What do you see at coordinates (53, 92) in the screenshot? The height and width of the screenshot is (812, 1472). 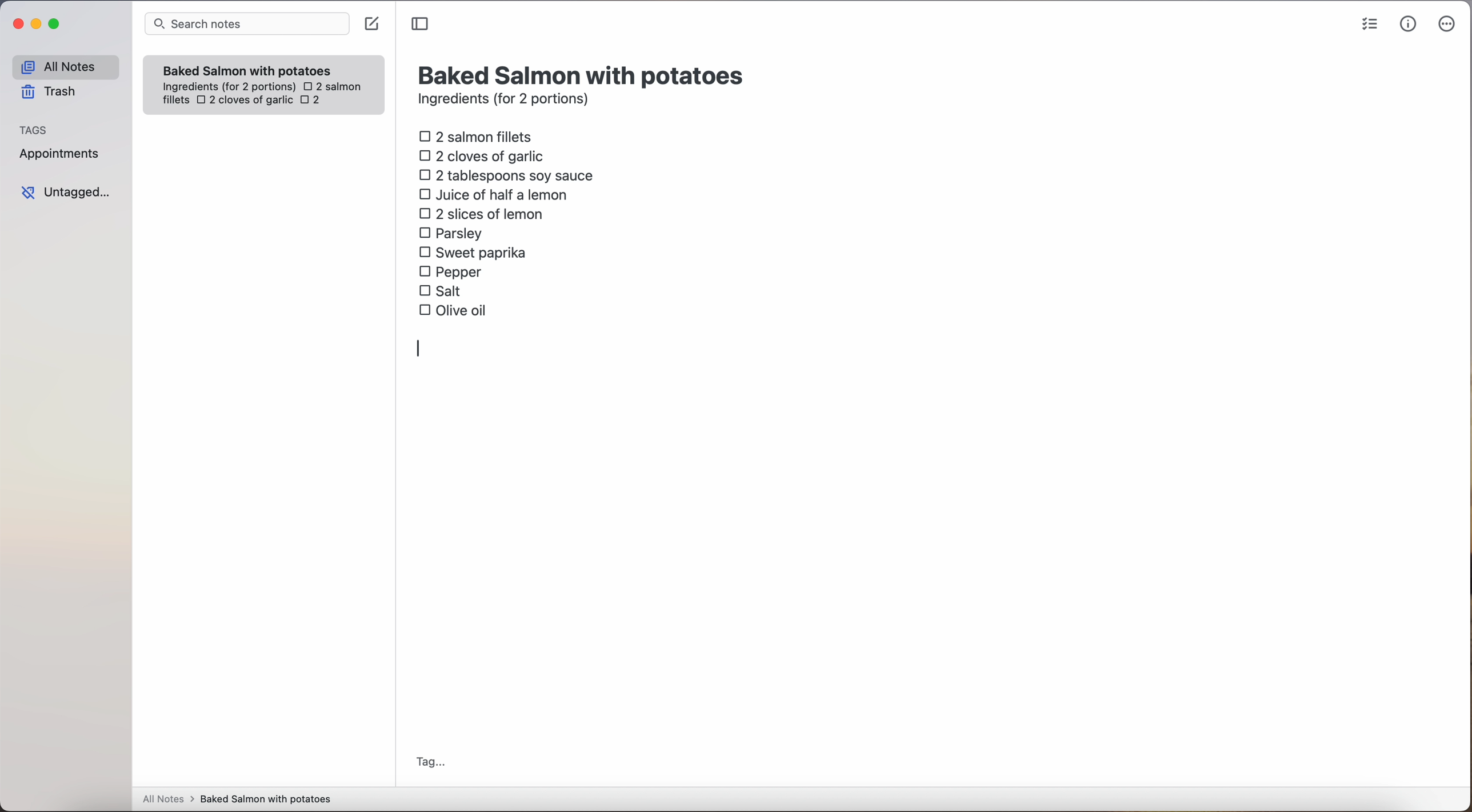 I see `trash` at bounding box center [53, 92].